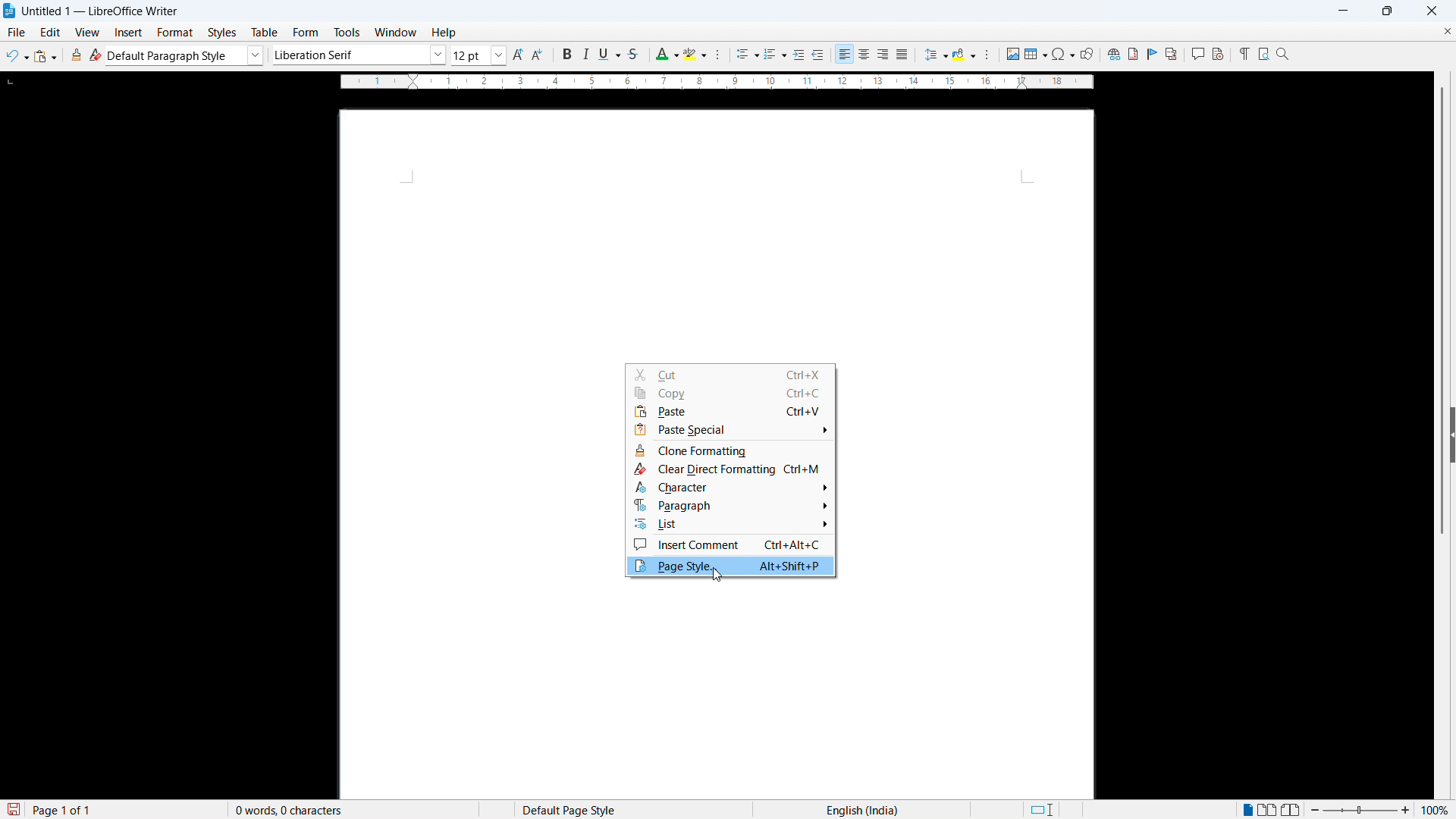 The height and width of the screenshot is (819, 1456). Describe the element at coordinates (1444, 312) in the screenshot. I see `Scroll bar ` at that location.